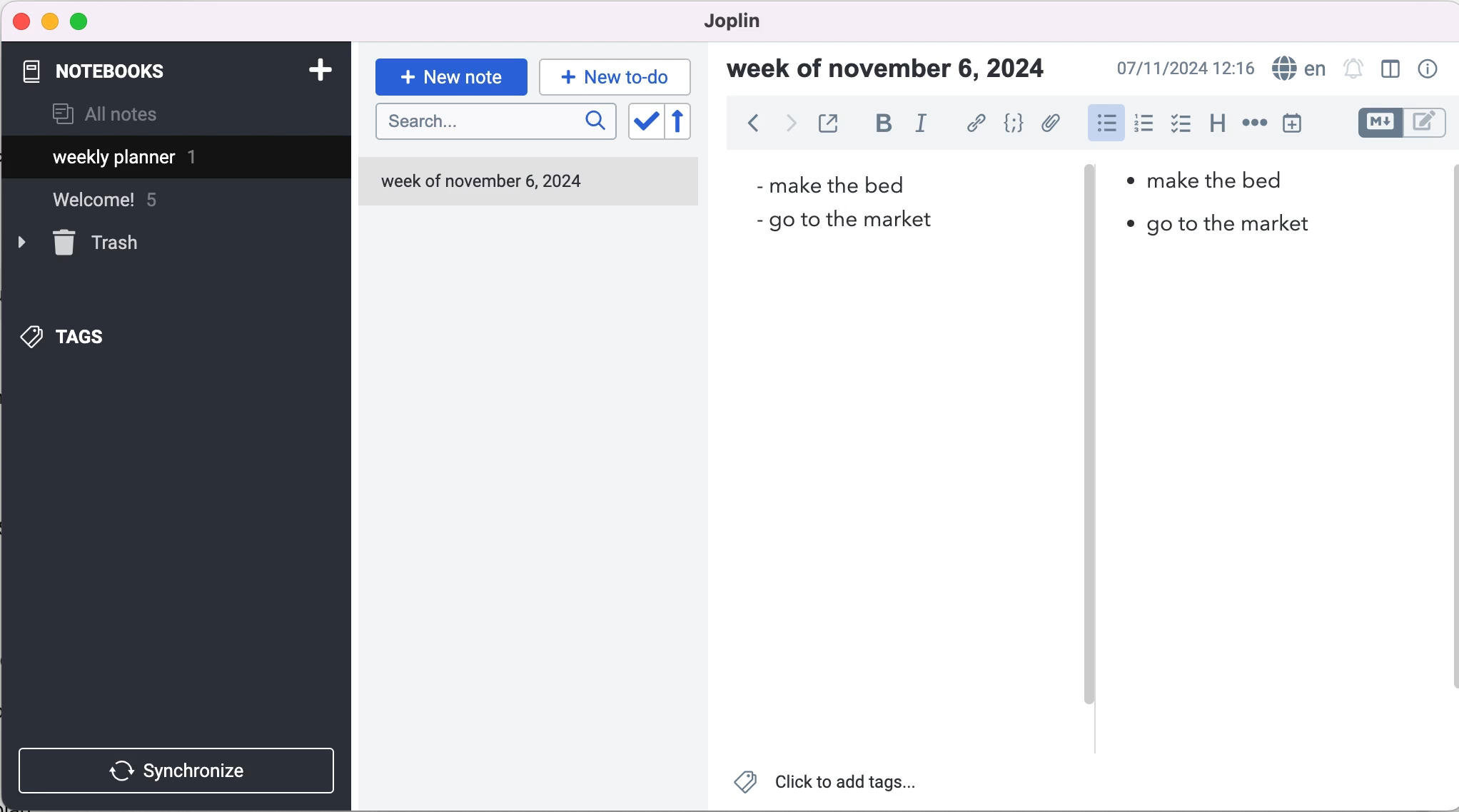  I want to click on maximize, so click(82, 22).